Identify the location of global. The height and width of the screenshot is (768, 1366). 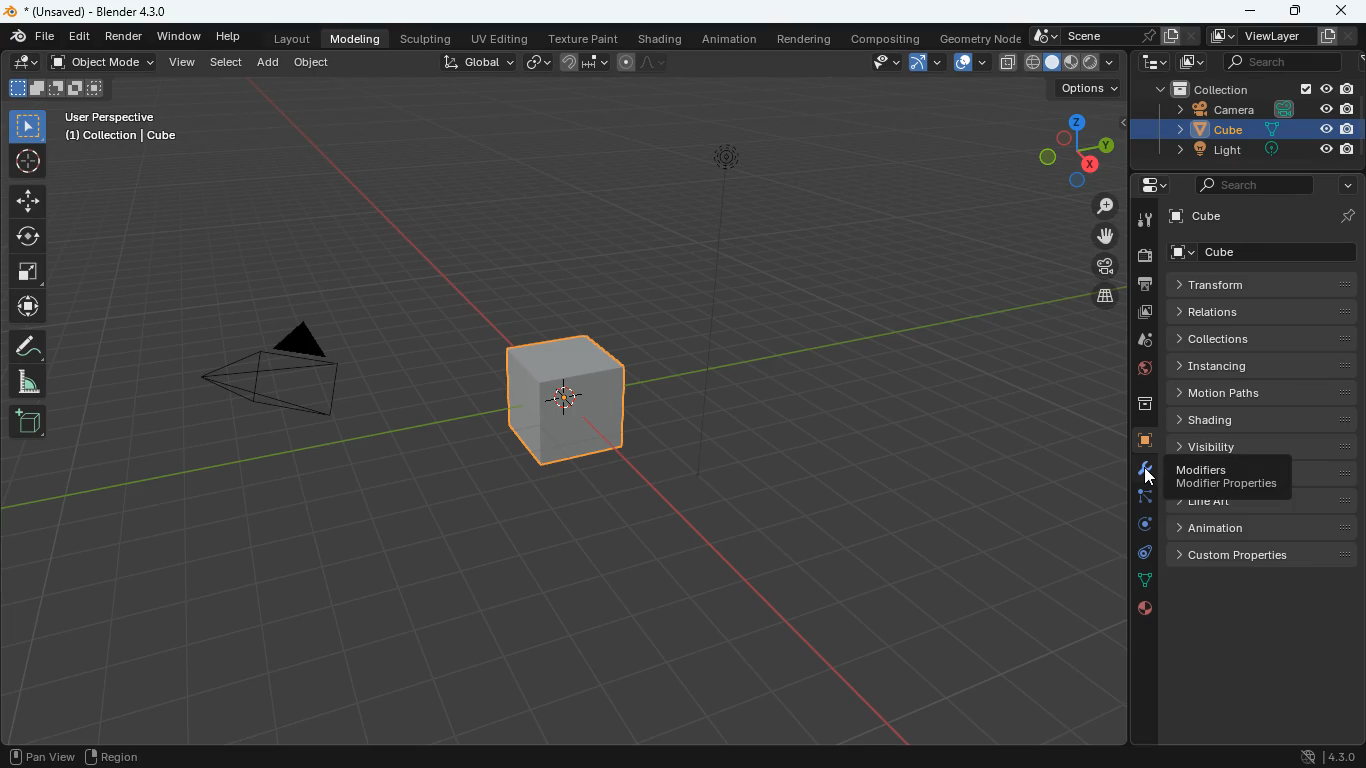
(477, 64).